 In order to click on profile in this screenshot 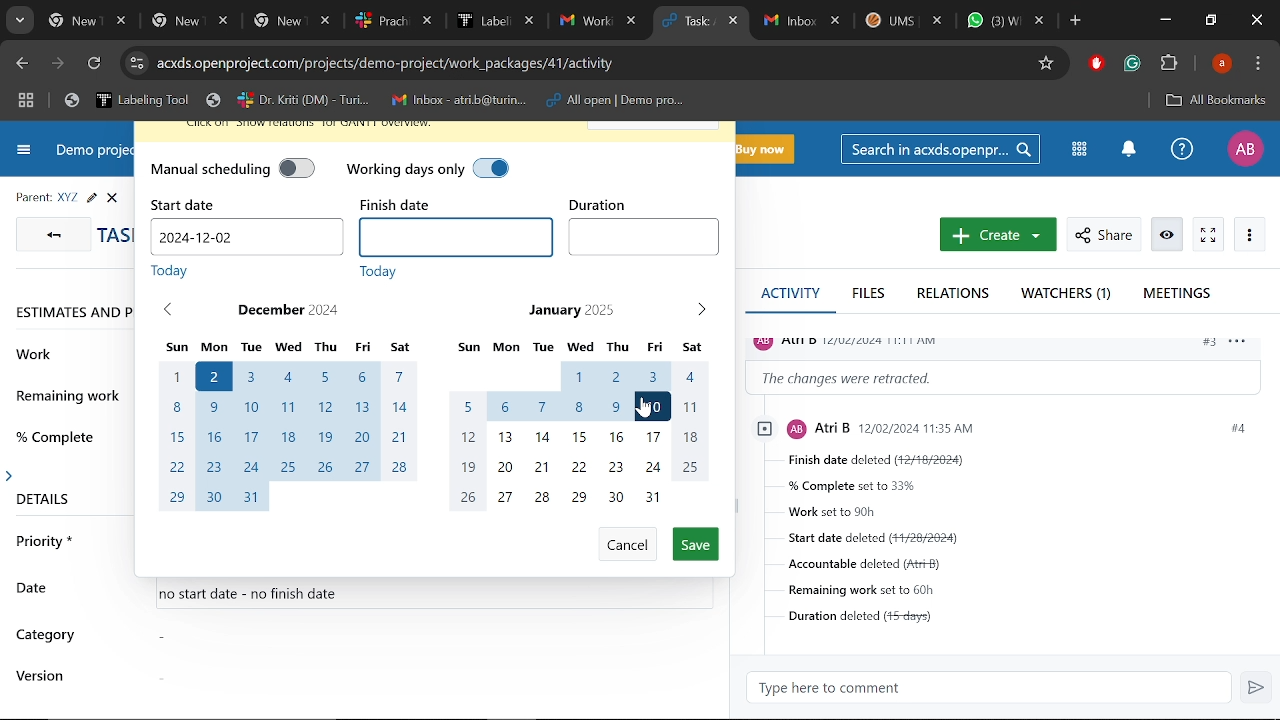, I will do `click(956, 427)`.